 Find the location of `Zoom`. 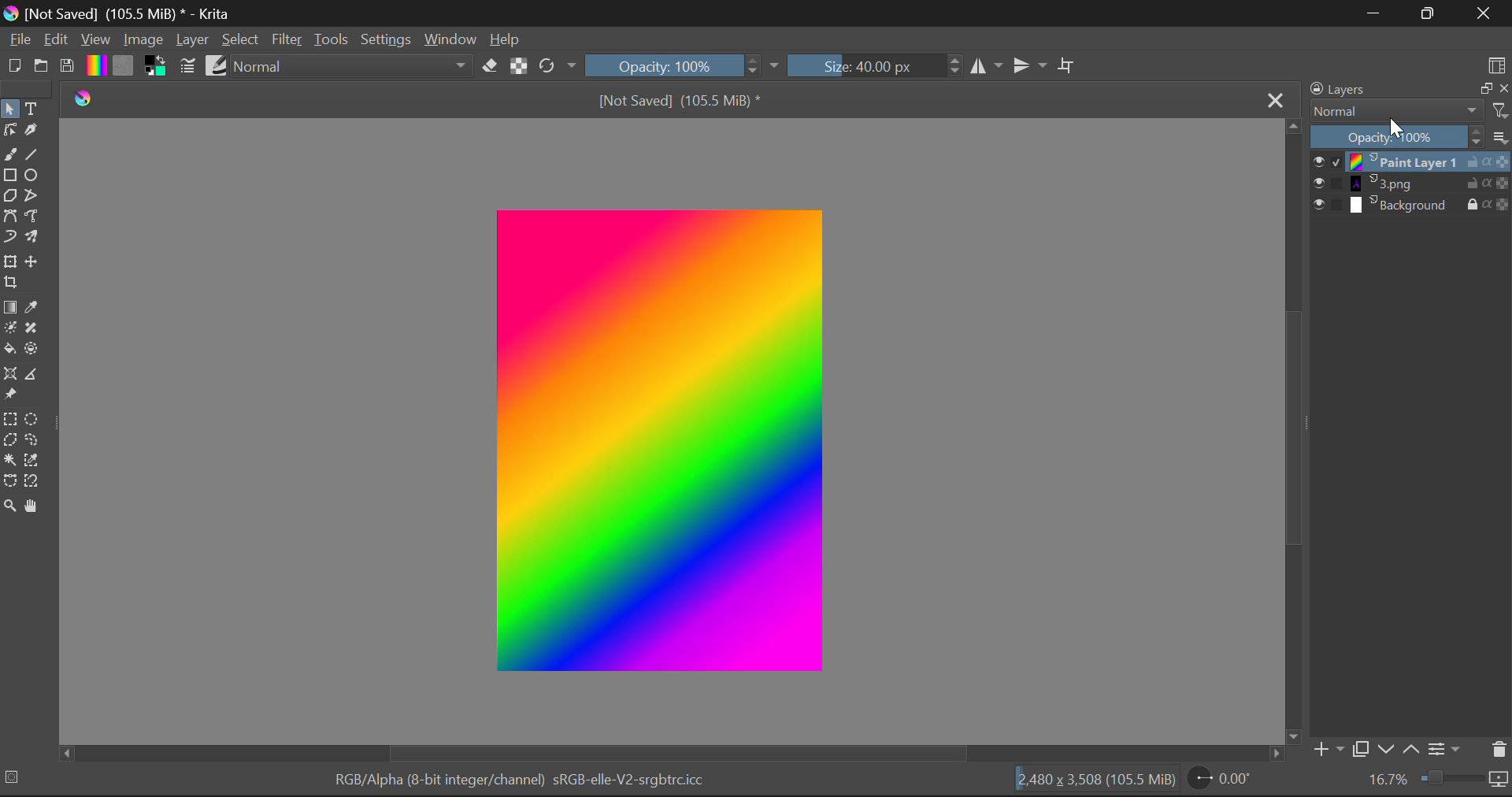

Zoom is located at coordinates (11, 506).